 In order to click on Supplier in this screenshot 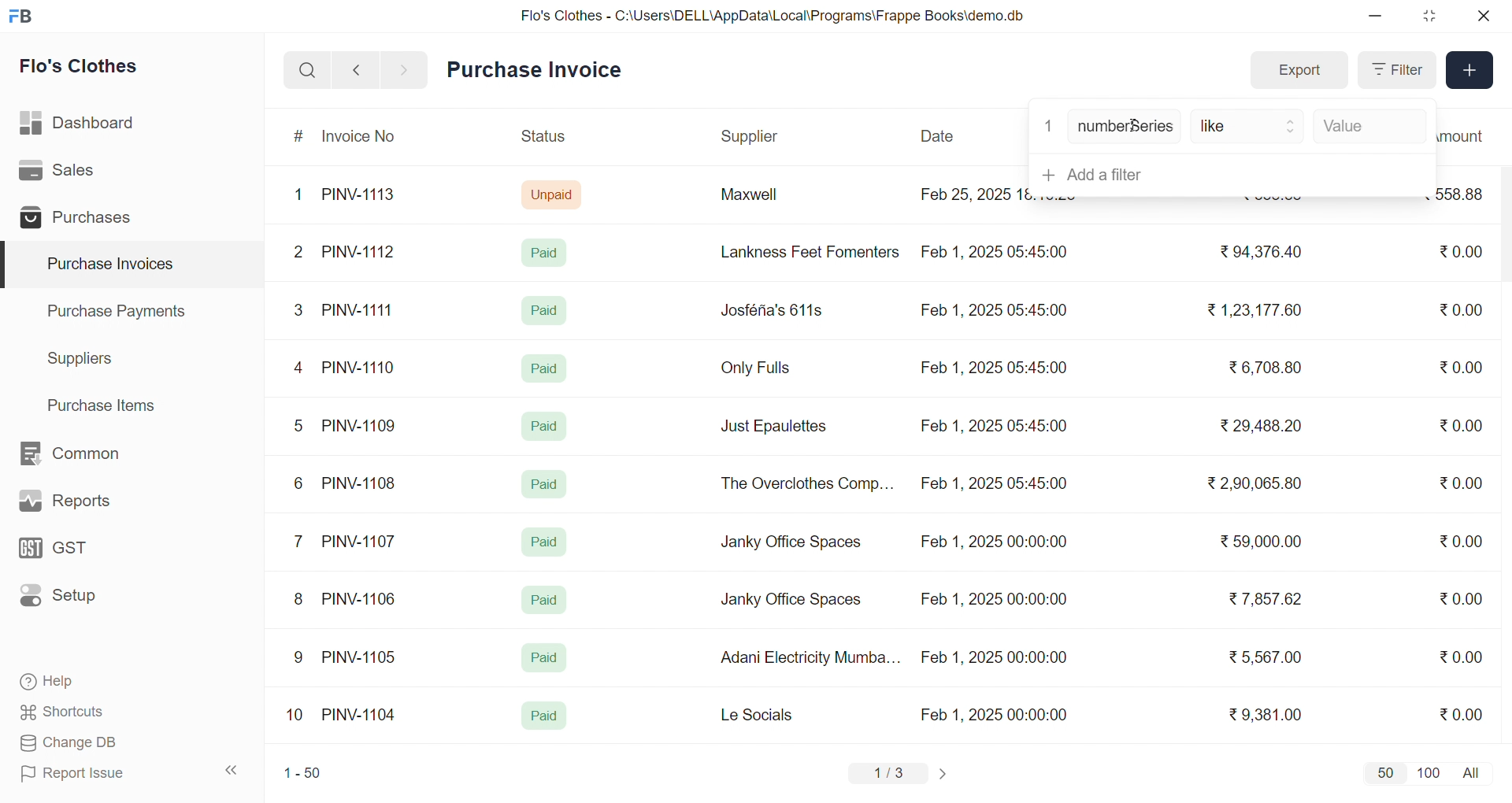, I will do `click(752, 137)`.